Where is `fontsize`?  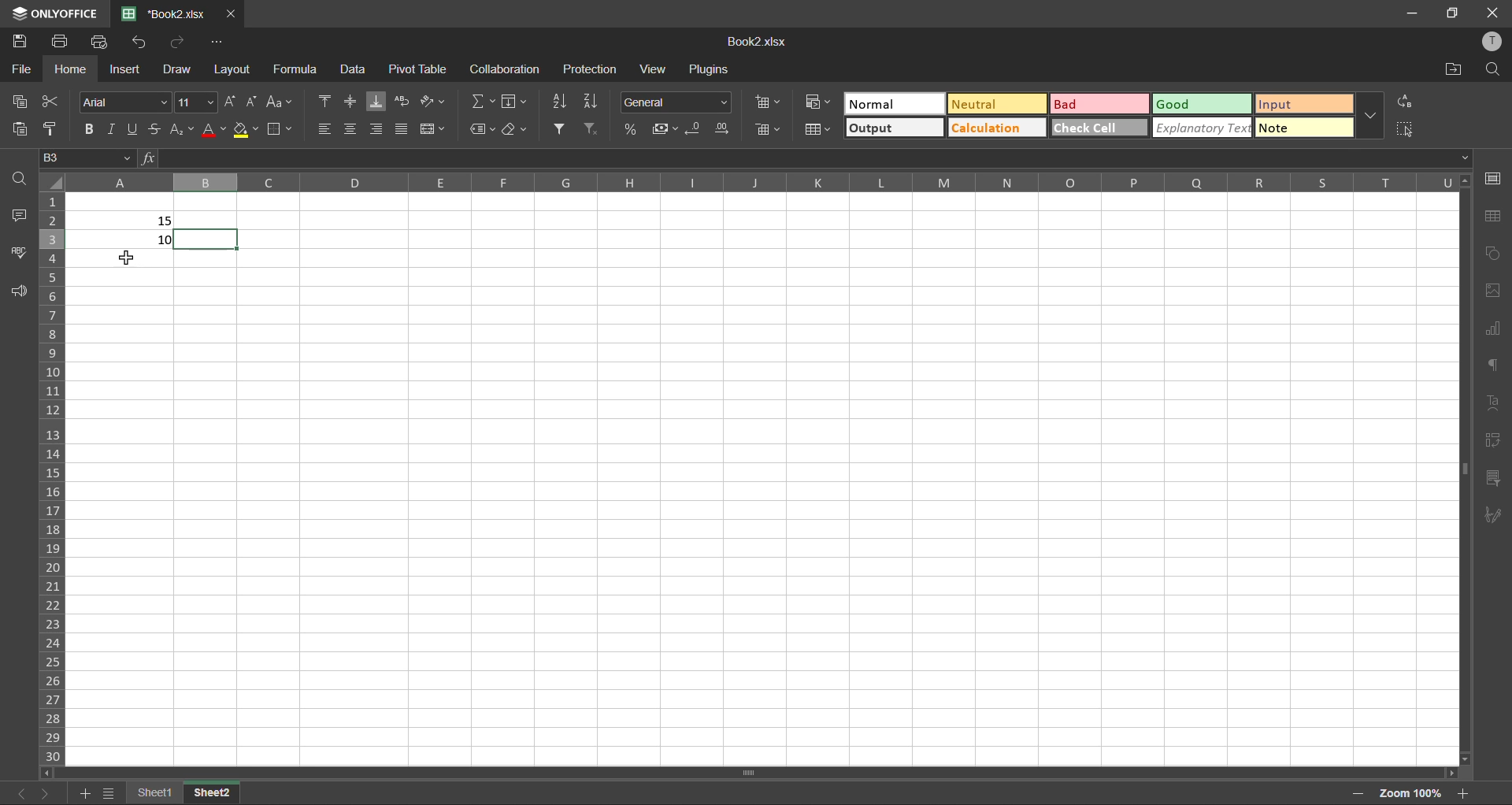
fontsize is located at coordinates (195, 102).